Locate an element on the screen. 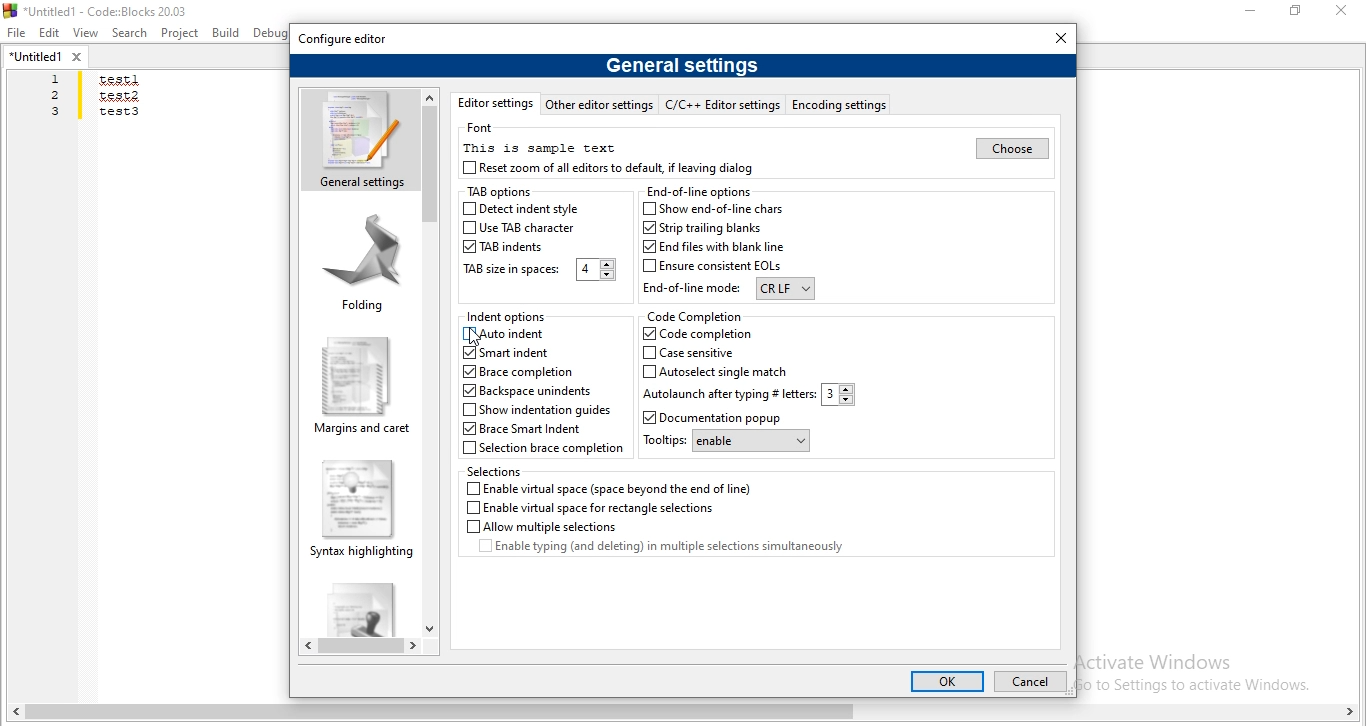 This screenshot has width=1366, height=726. End-of-line options is located at coordinates (699, 191).